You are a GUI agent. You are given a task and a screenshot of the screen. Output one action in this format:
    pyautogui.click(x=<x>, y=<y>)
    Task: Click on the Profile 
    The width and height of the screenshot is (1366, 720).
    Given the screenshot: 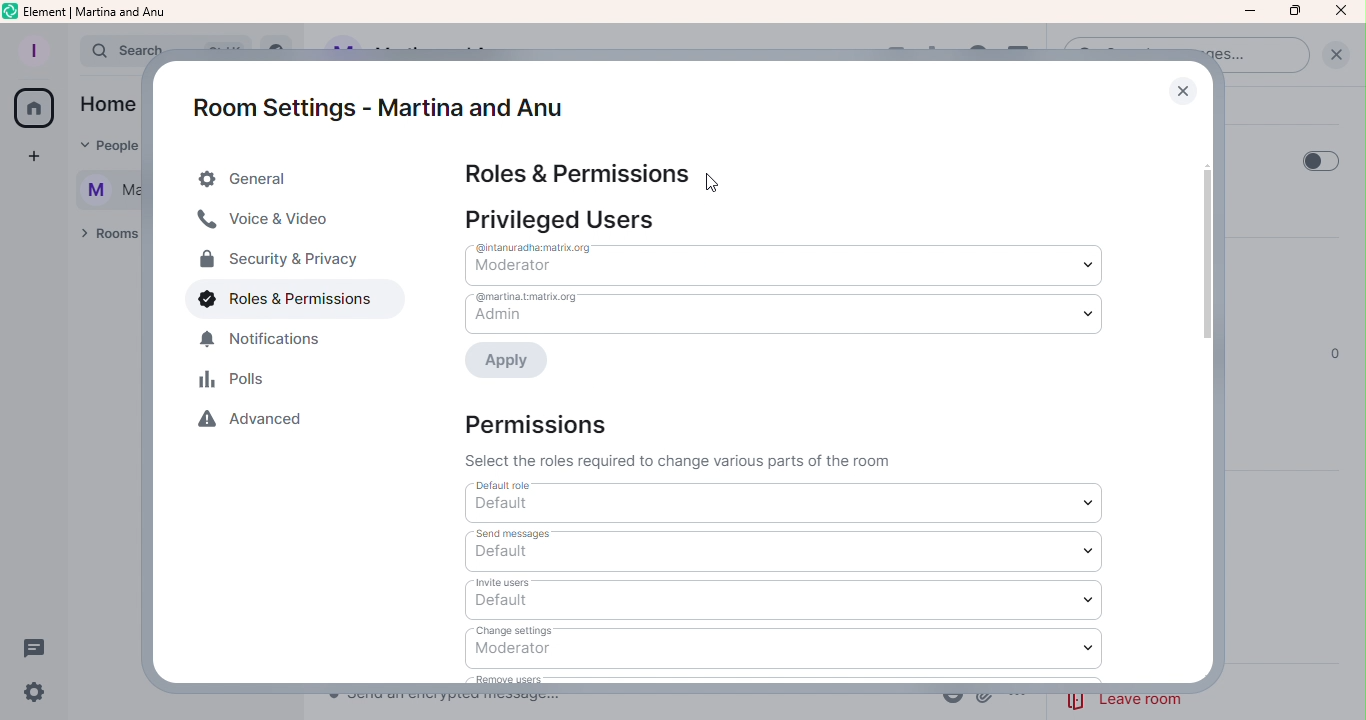 What is the action you would take?
    pyautogui.click(x=33, y=47)
    